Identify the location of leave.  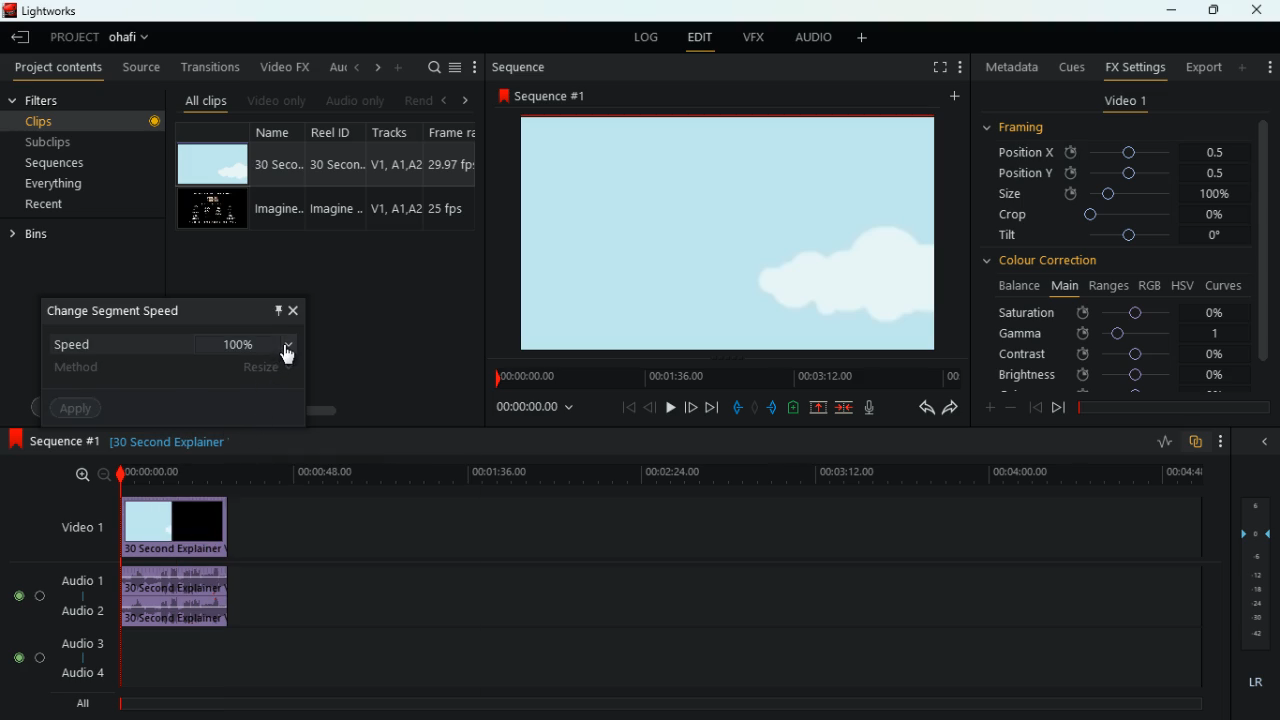
(20, 37).